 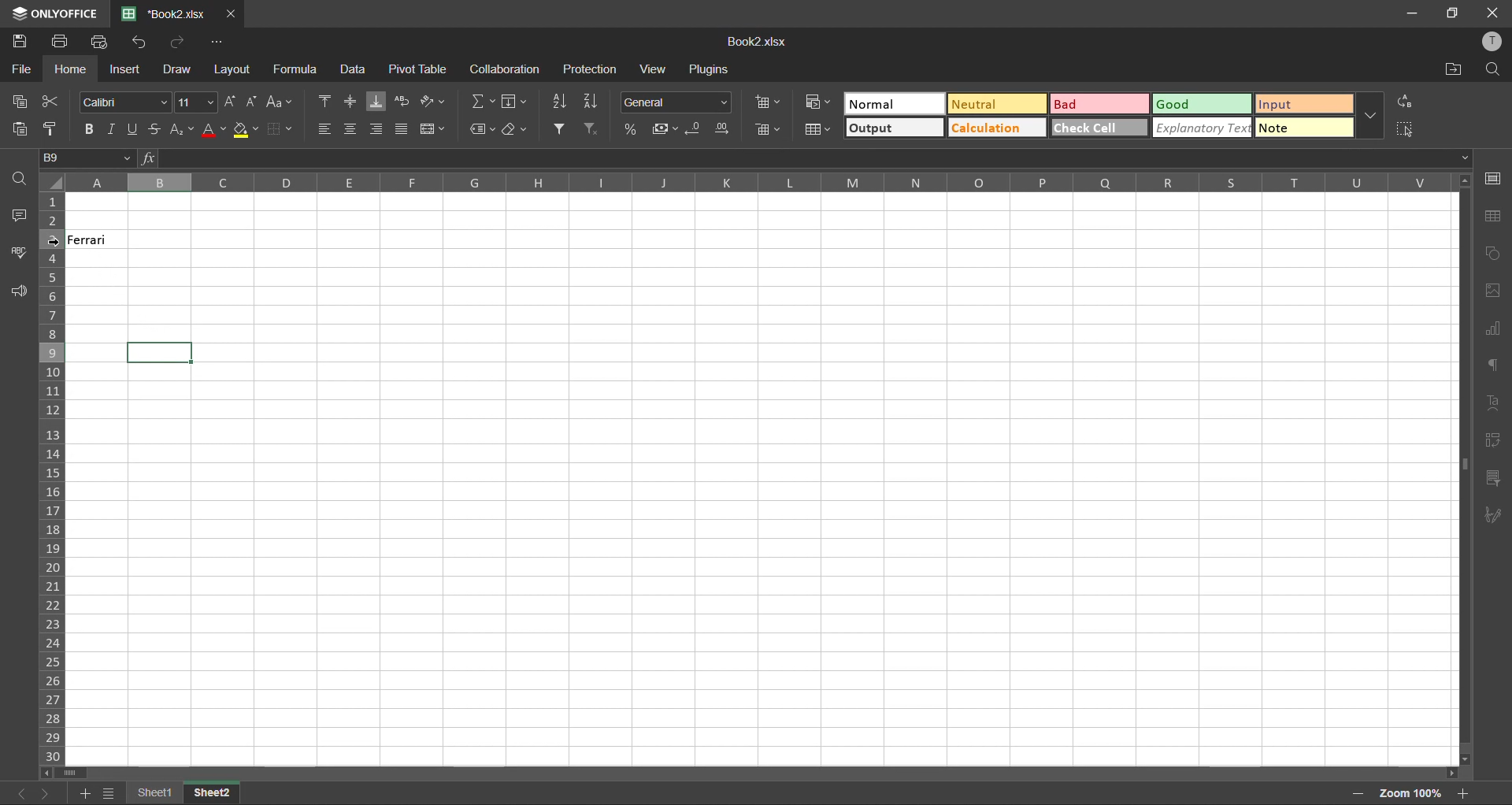 I want to click on input, so click(x=1299, y=103).